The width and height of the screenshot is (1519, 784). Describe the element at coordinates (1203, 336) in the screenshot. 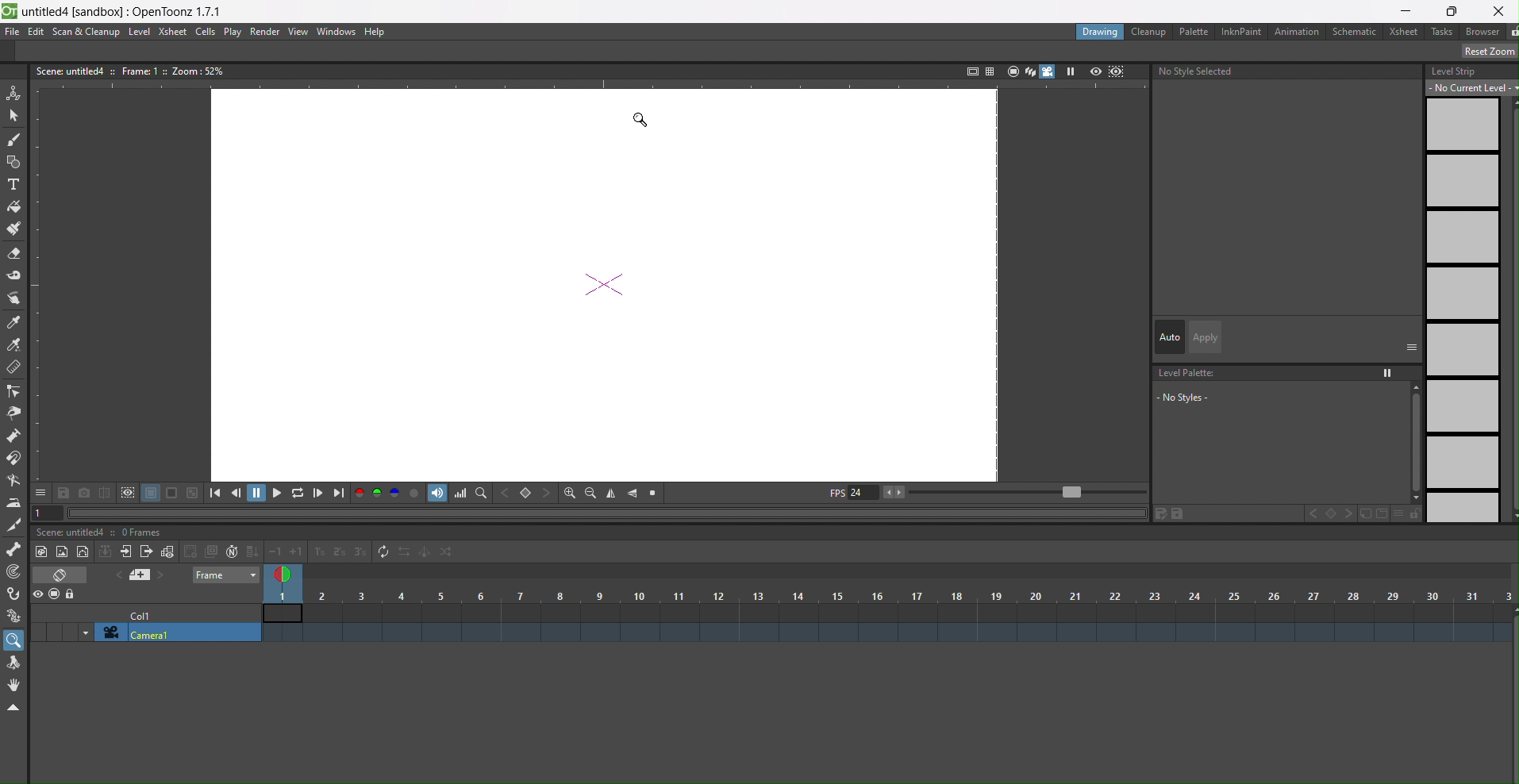

I see `apply` at that location.